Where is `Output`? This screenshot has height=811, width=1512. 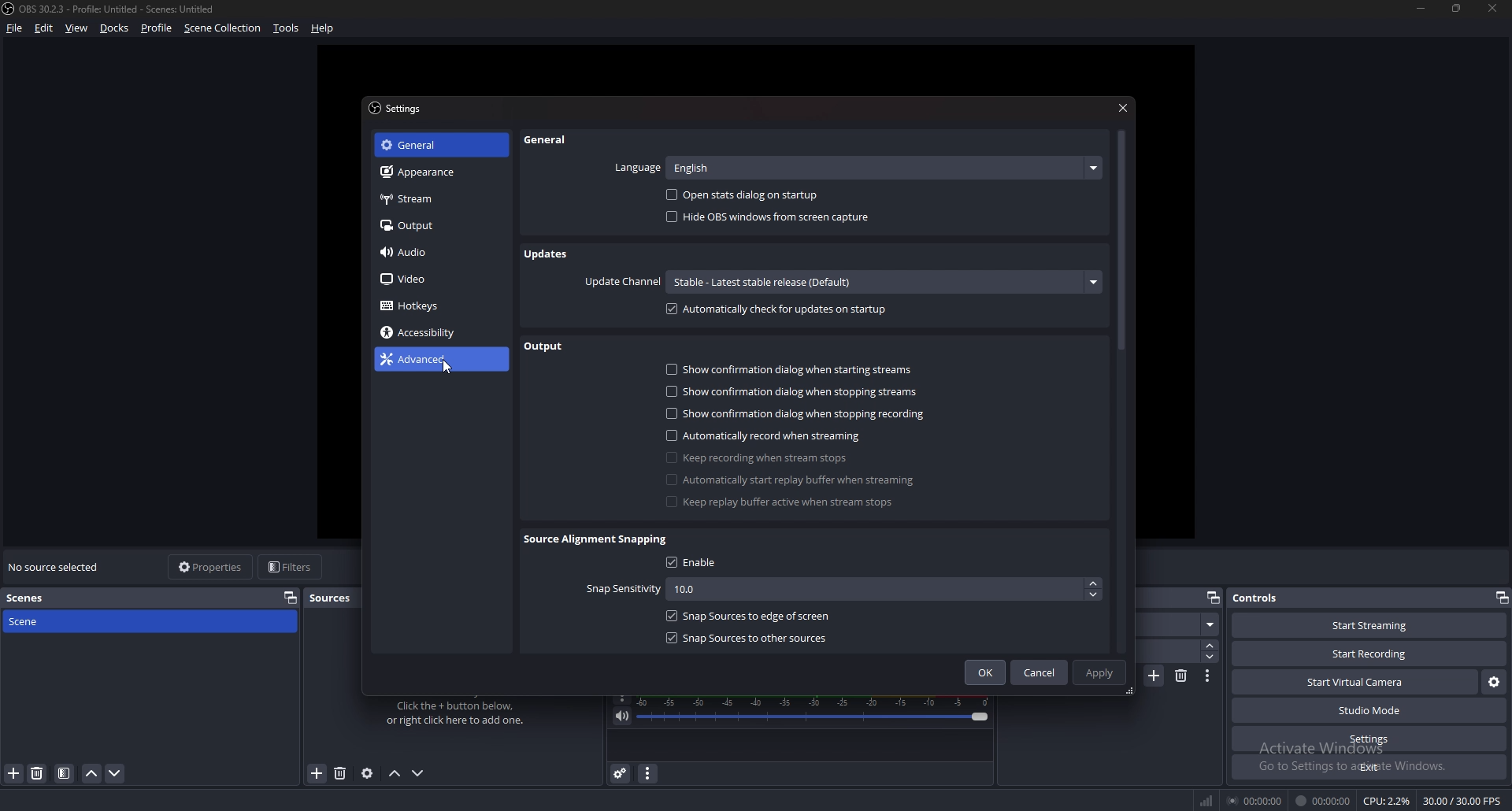
Output is located at coordinates (437, 224).